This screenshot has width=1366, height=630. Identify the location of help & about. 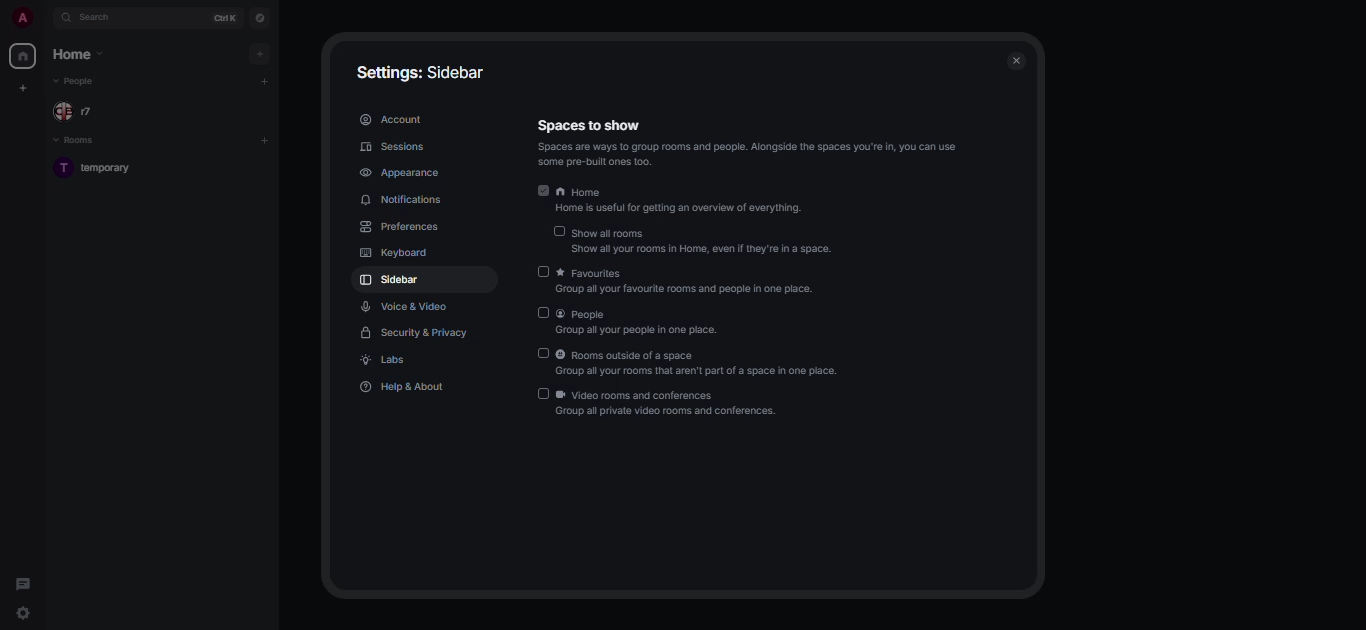
(400, 388).